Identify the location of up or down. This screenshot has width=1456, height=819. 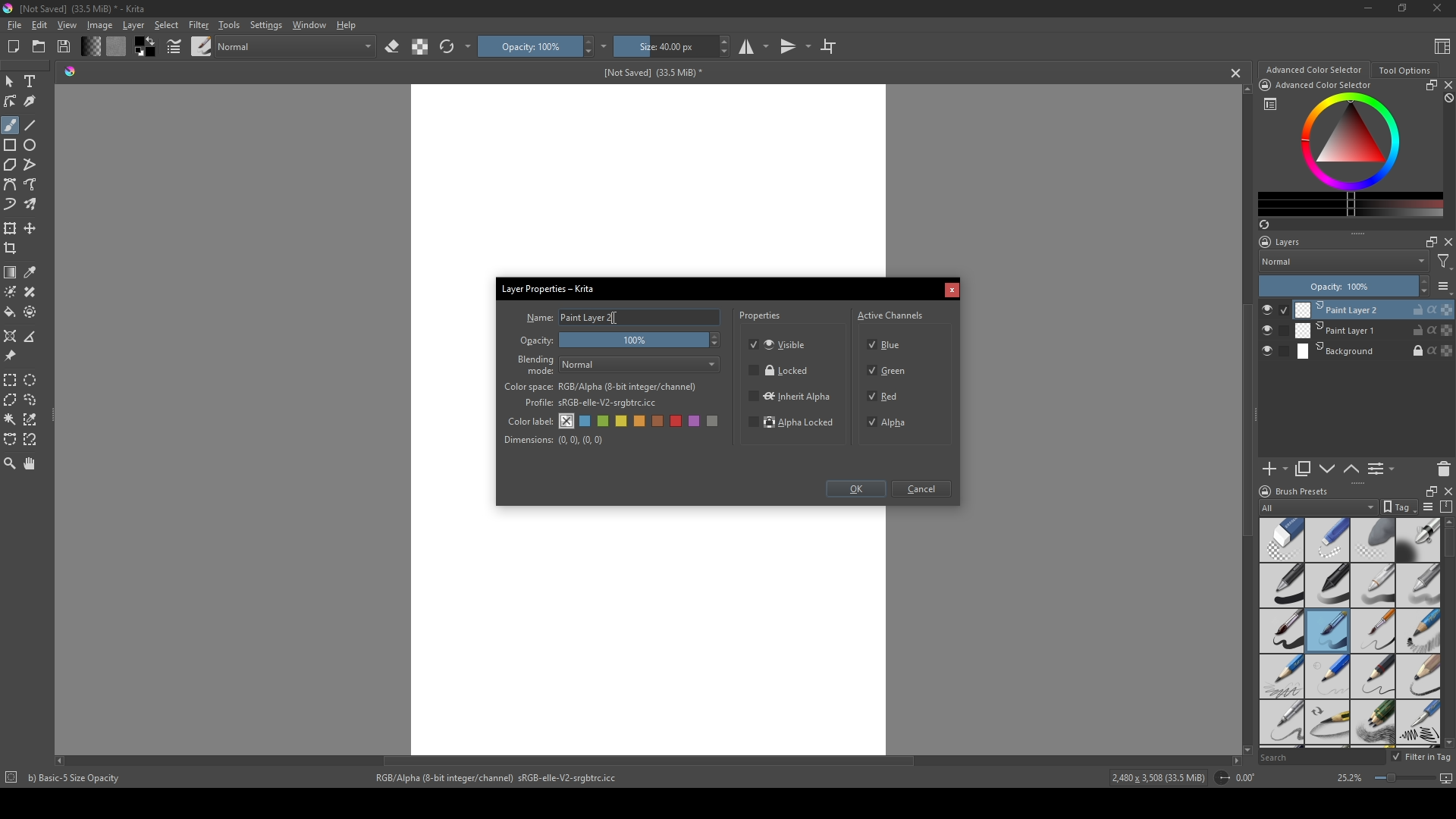
(1352, 469).